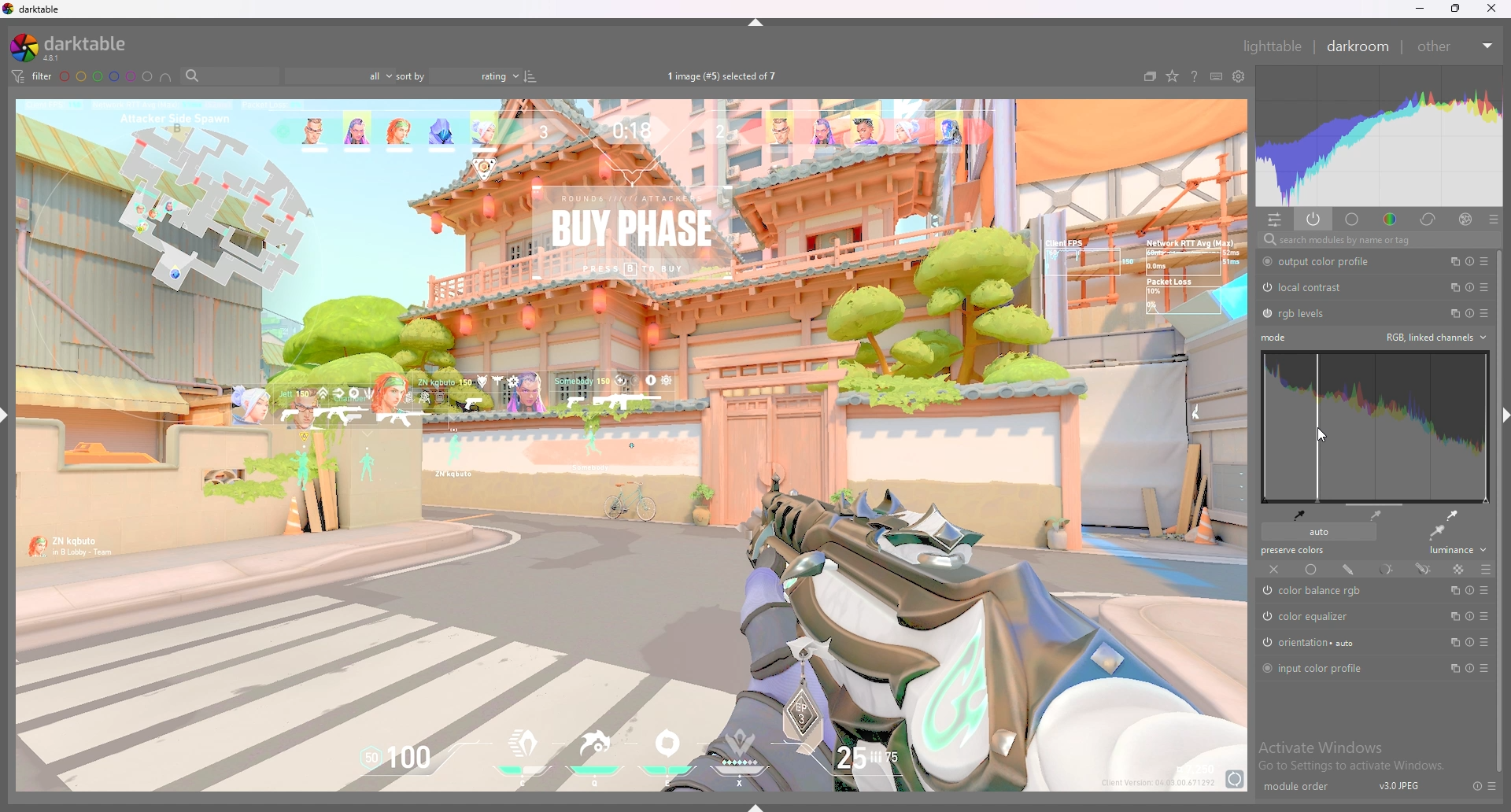  I want to click on Switched on, so click(1266, 314).